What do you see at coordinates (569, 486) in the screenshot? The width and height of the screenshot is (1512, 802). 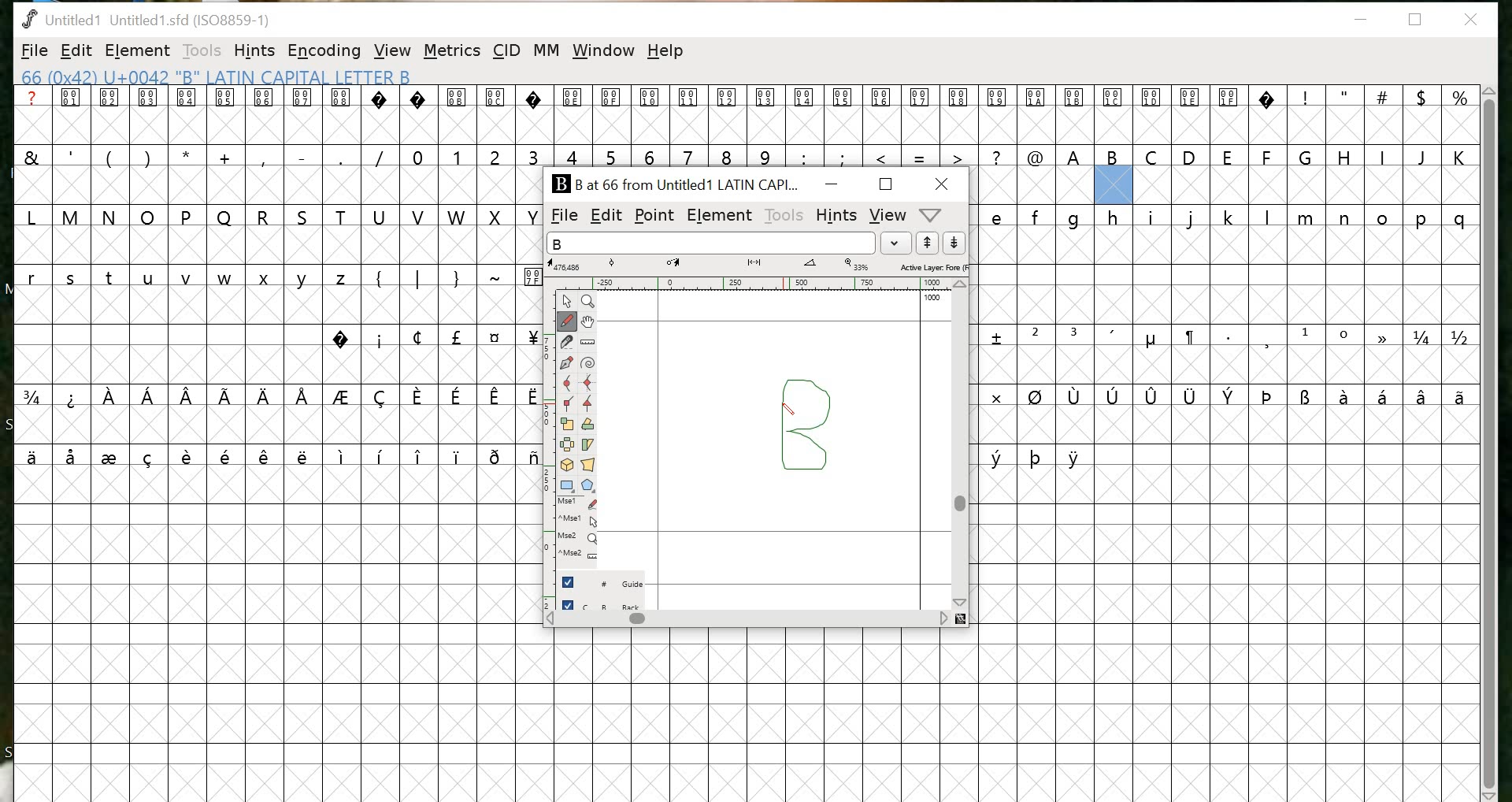 I see `Rectangle/ellipse` at bounding box center [569, 486].